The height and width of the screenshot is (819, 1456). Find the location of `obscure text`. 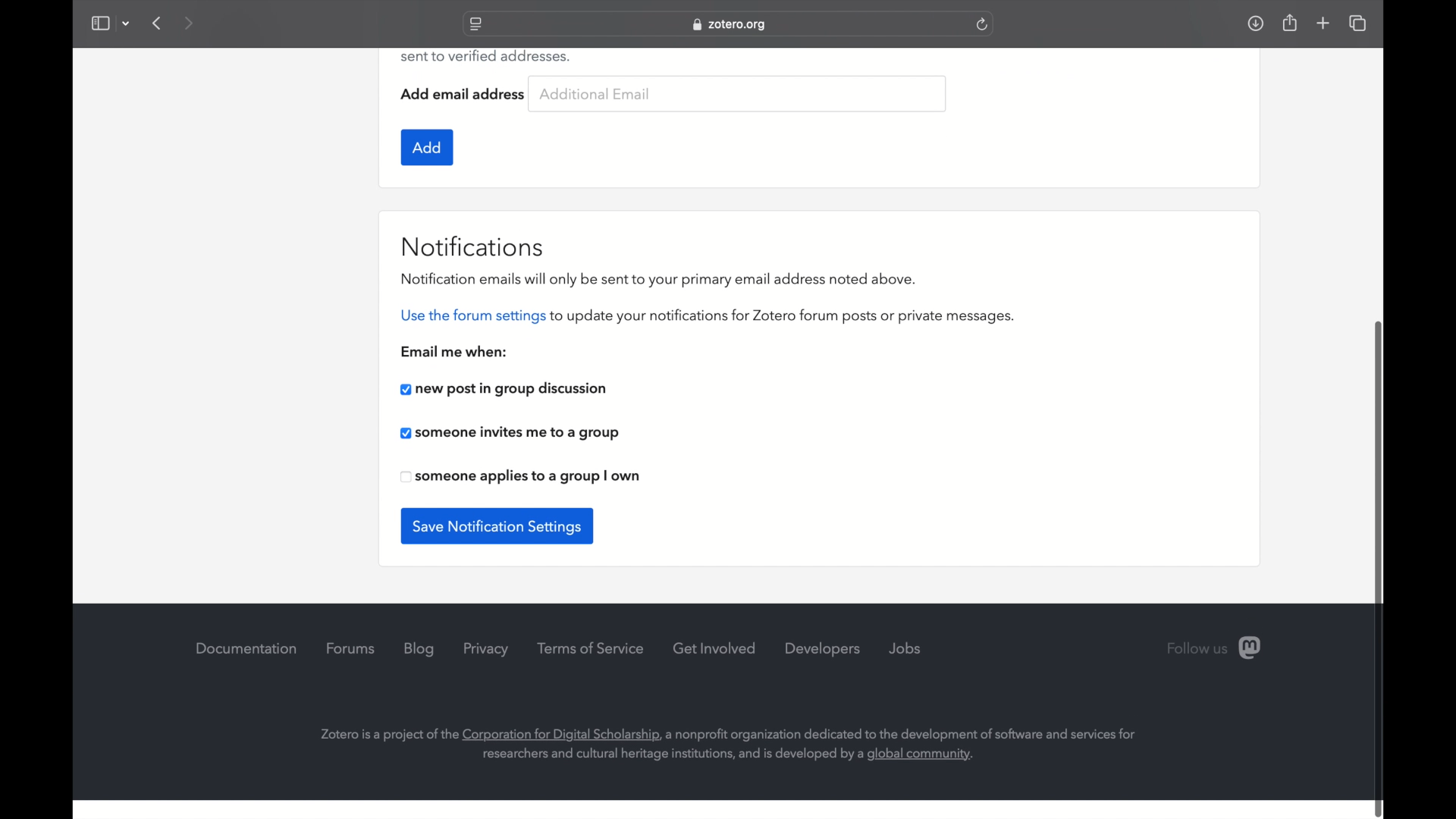

obscure text is located at coordinates (484, 56).